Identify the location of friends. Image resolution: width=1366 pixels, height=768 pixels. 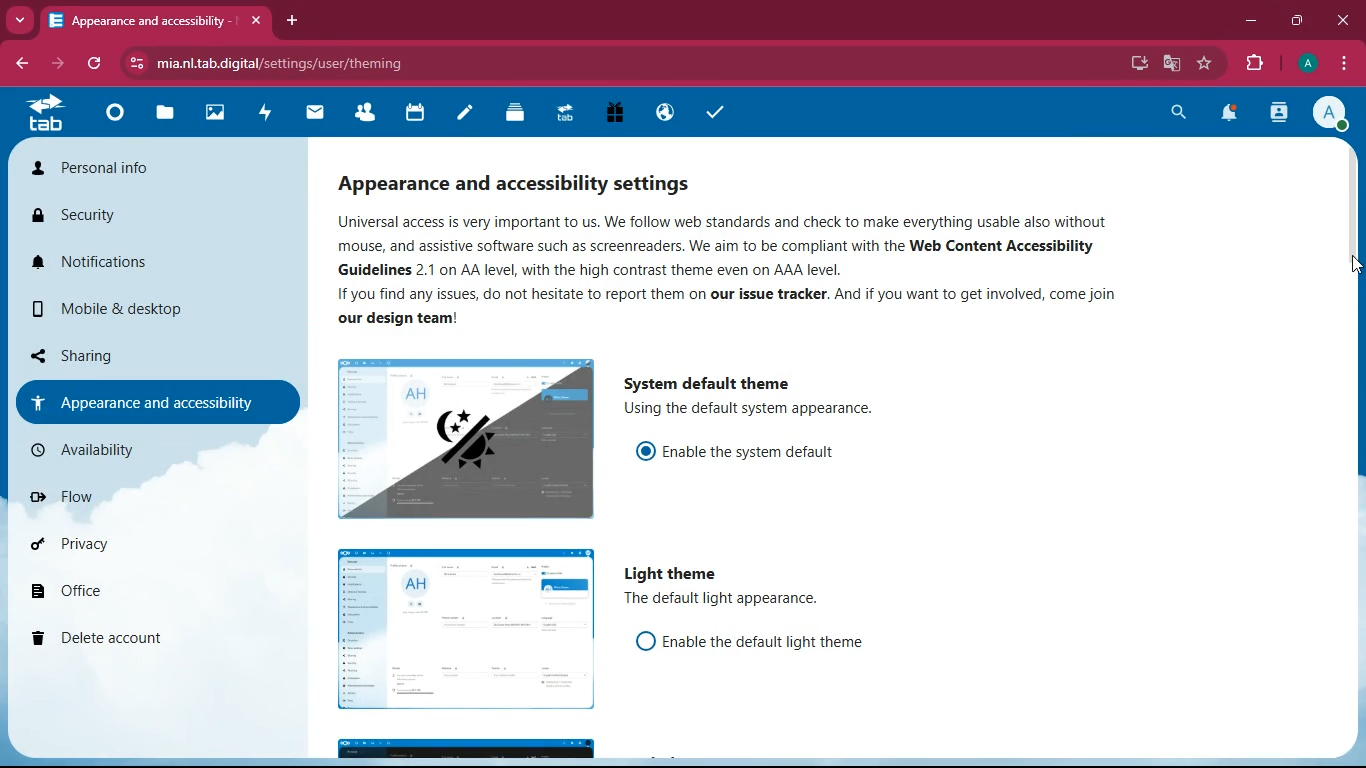
(363, 115).